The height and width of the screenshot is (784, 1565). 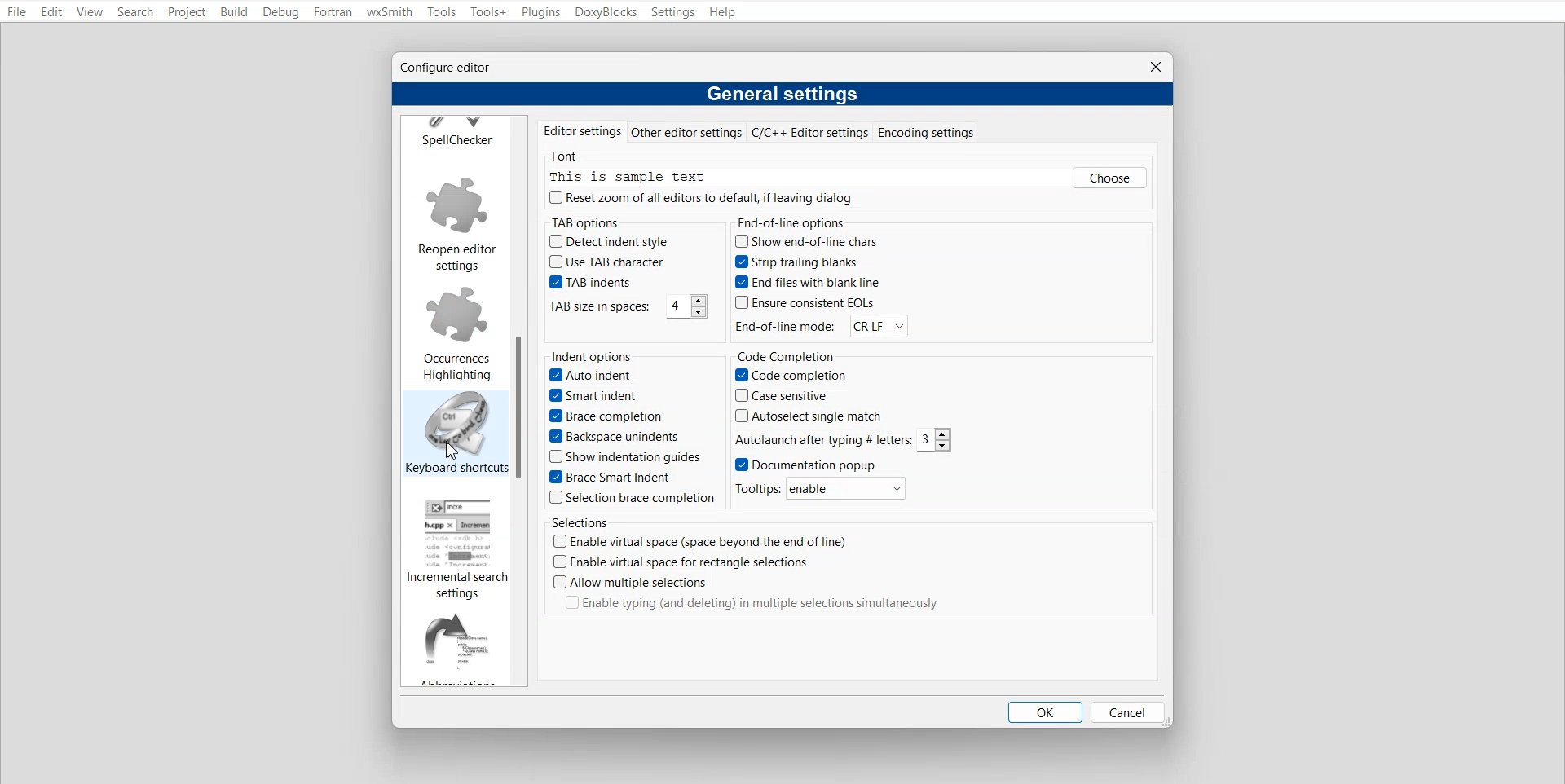 I want to click on (J) Reset zoom of all editors to default, if leaving dialog, so click(x=703, y=198).